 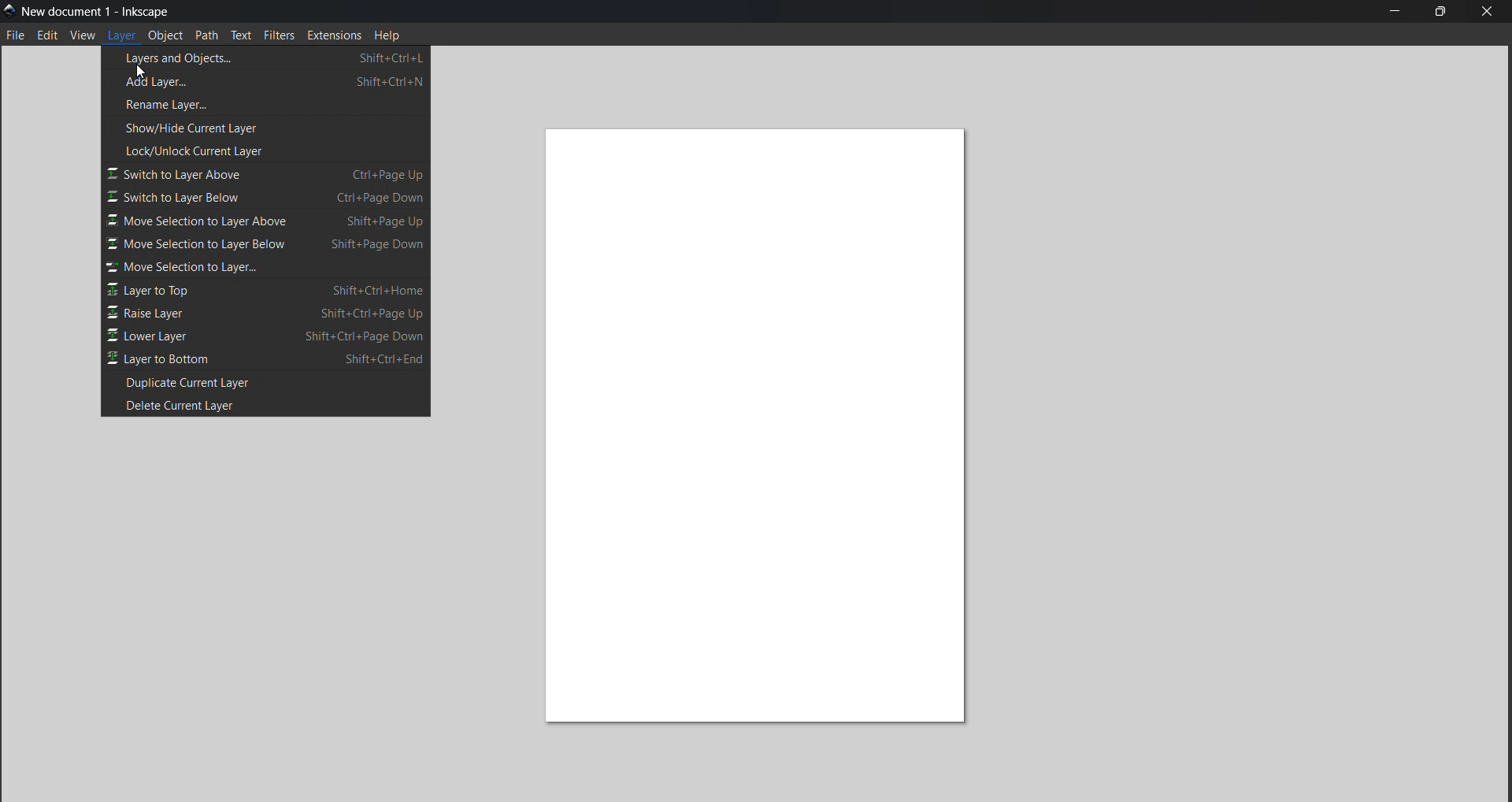 I want to click on layer, so click(x=124, y=37).